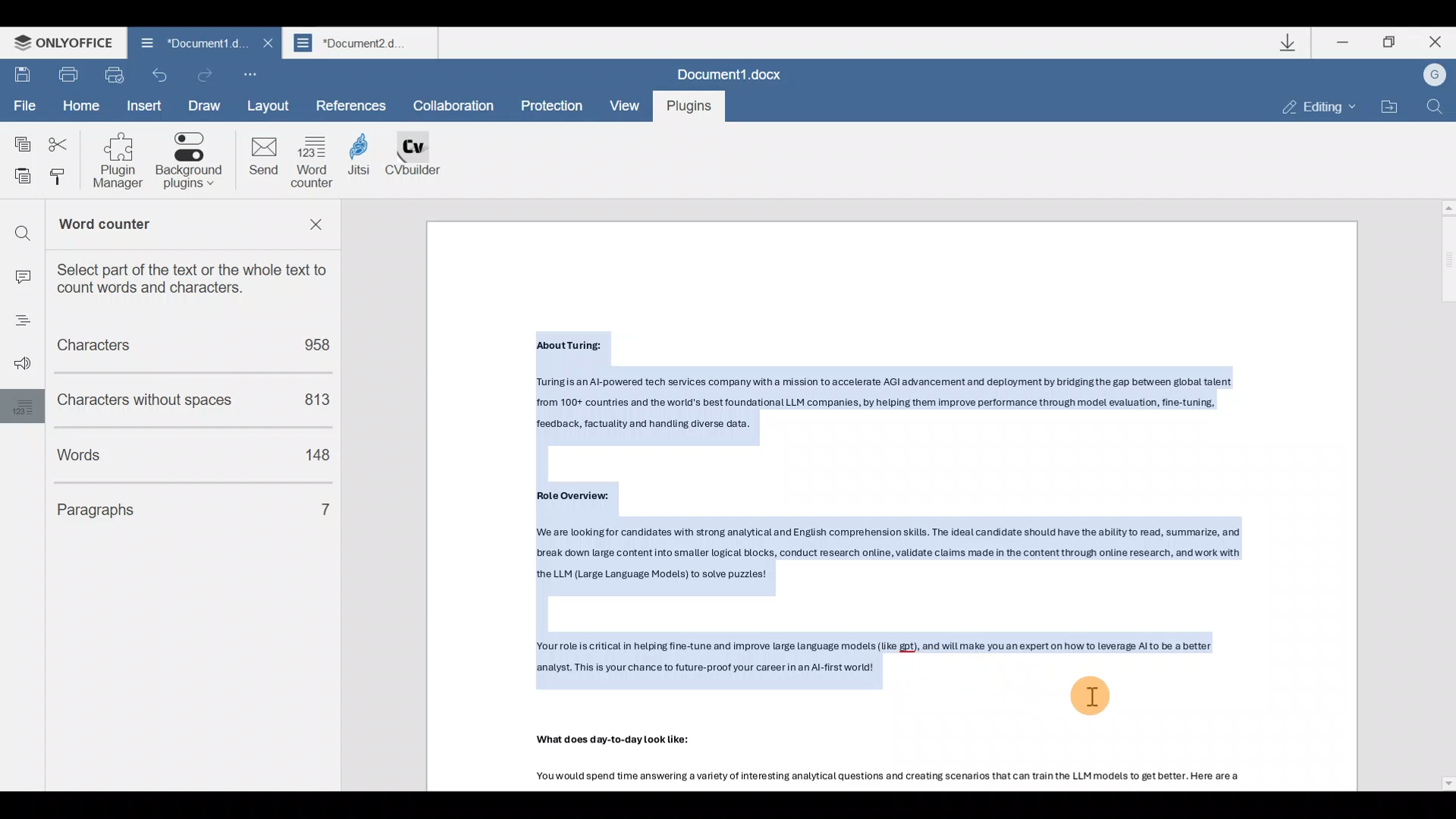 This screenshot has width=1456, height=819. I want to click on CV builder, so click(422, 162).